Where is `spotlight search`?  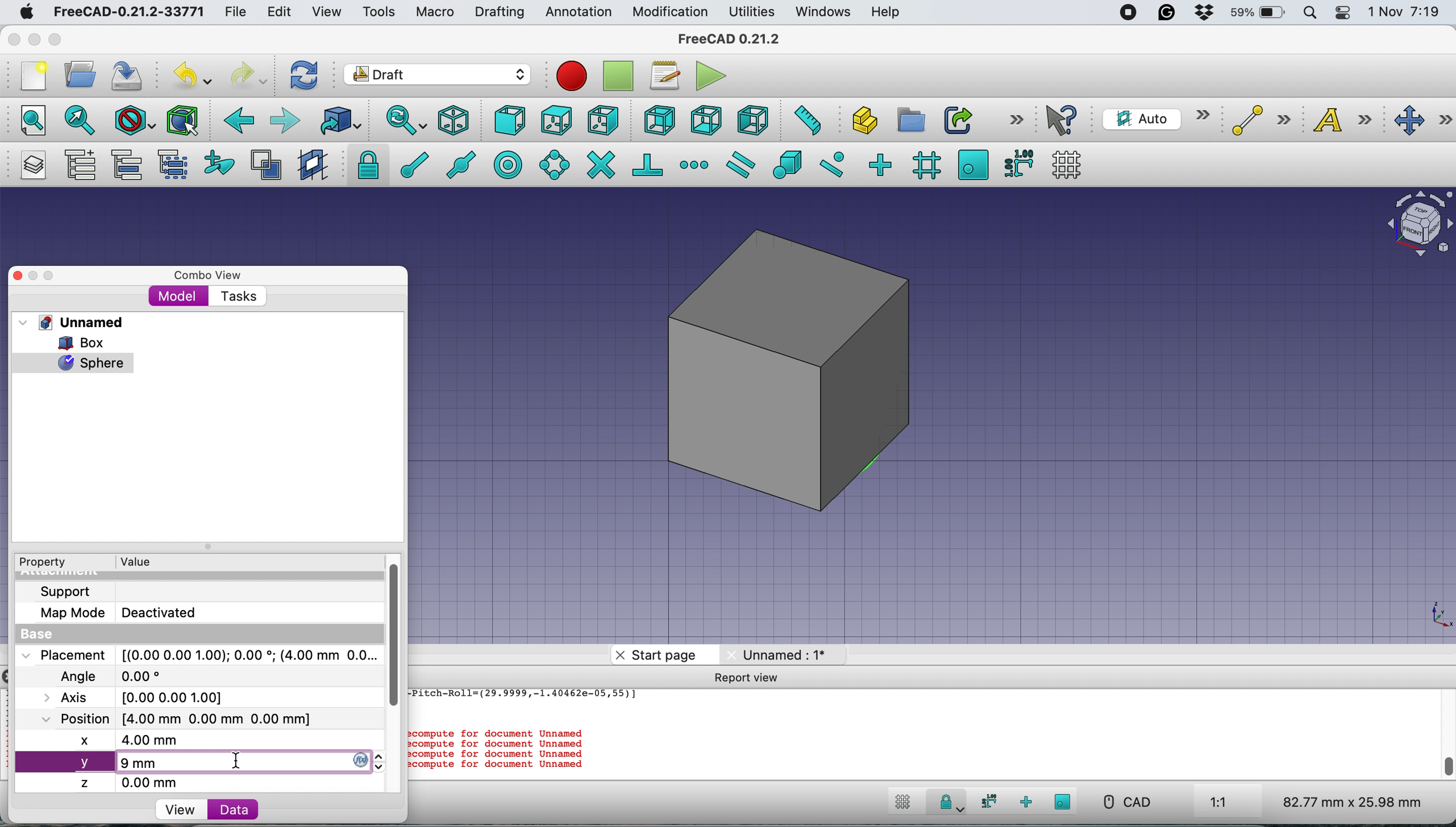 spotlight search is located at coordinates (1308, 14).